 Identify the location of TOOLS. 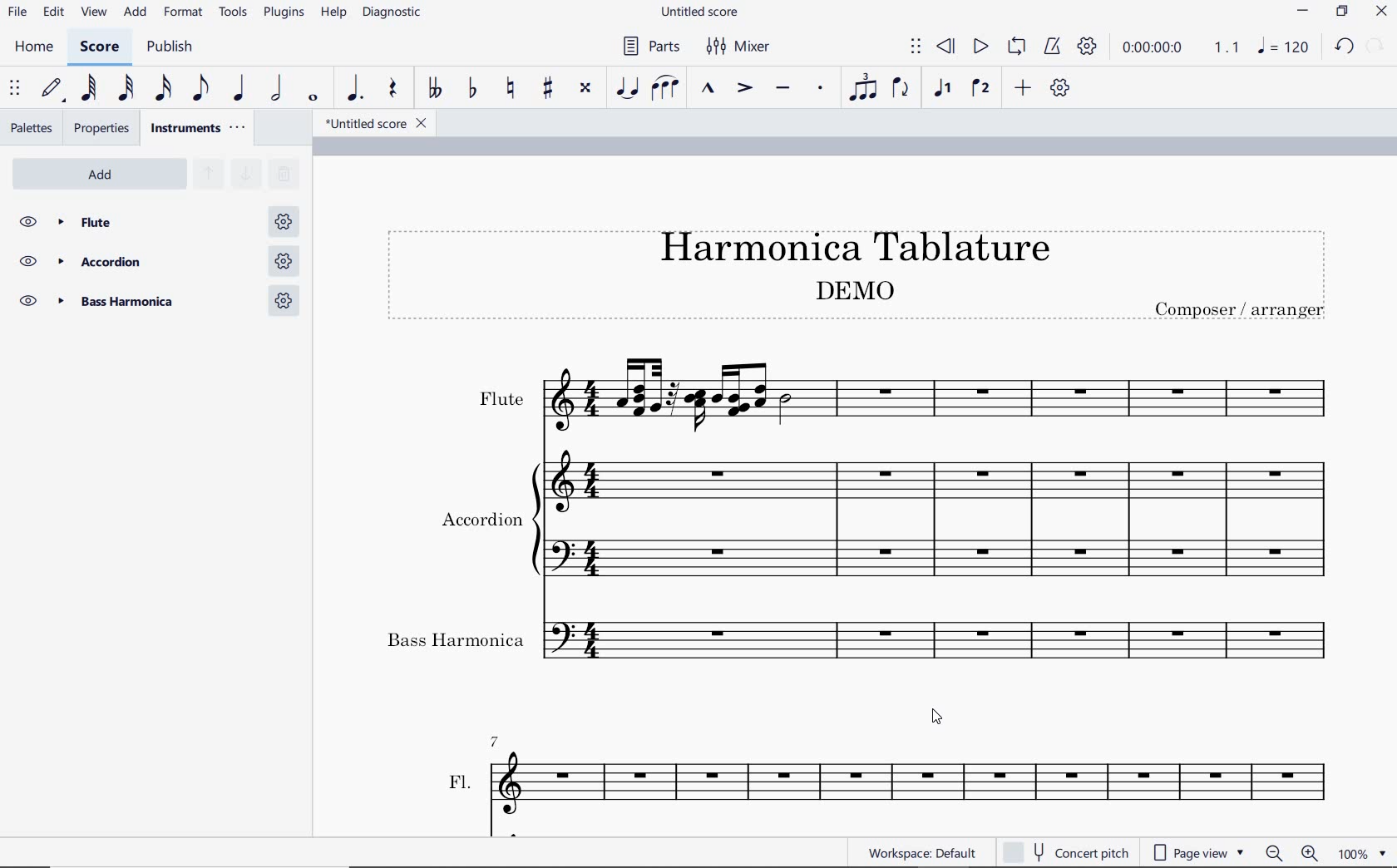
(234, 12).